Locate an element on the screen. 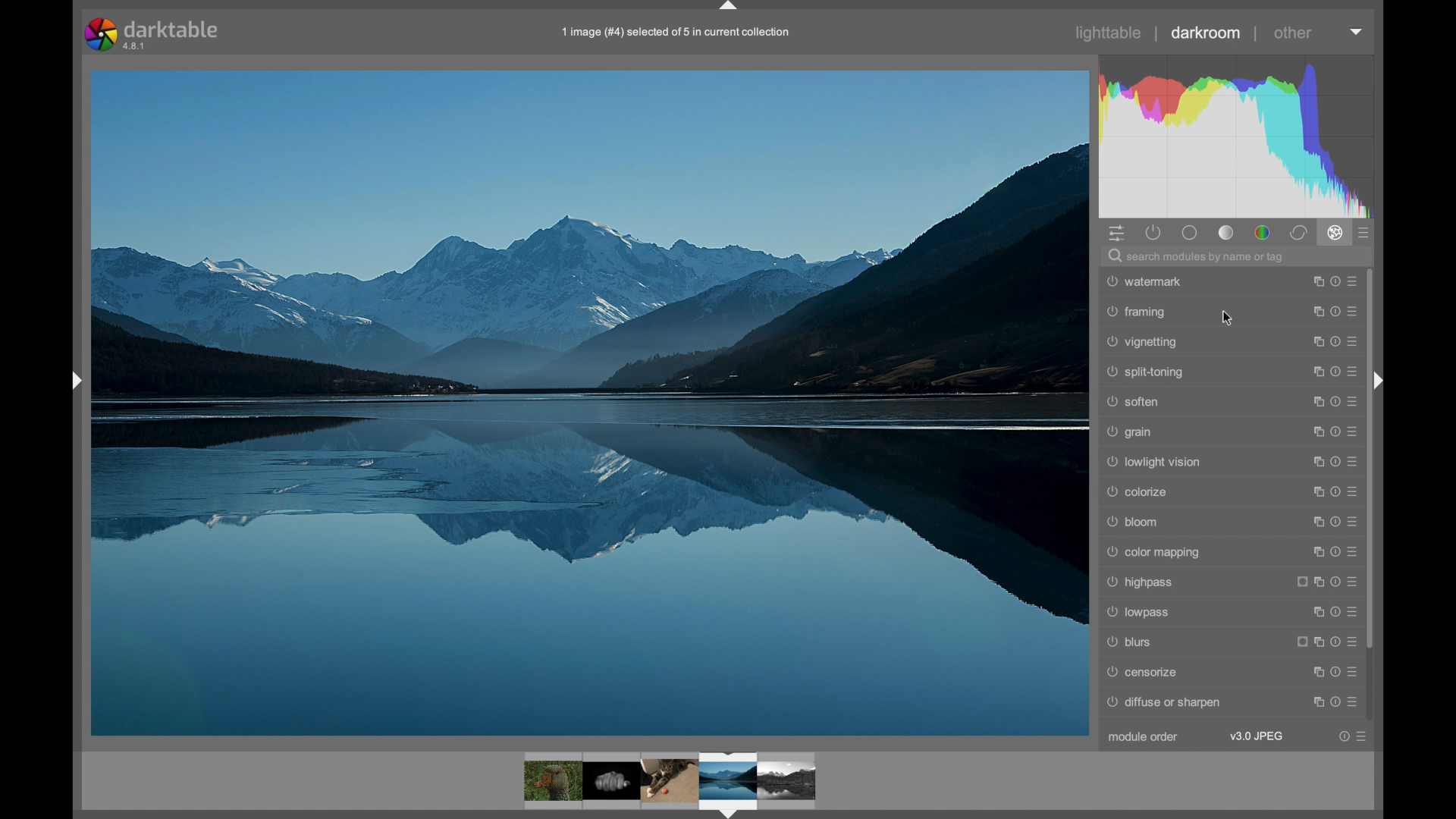  more options is located at coordinates (1335, 522).